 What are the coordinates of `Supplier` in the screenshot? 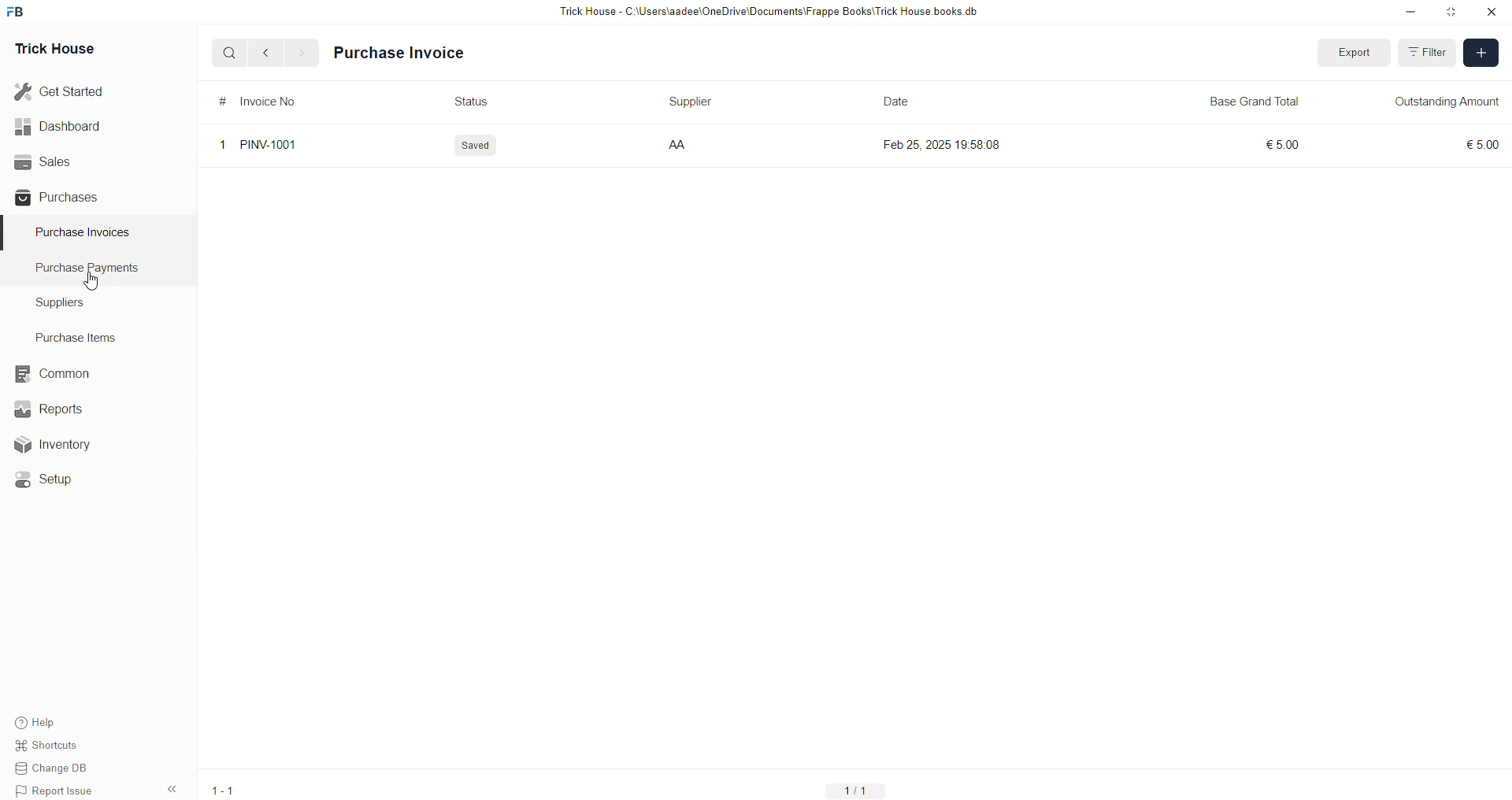 It's located at (706, 100).